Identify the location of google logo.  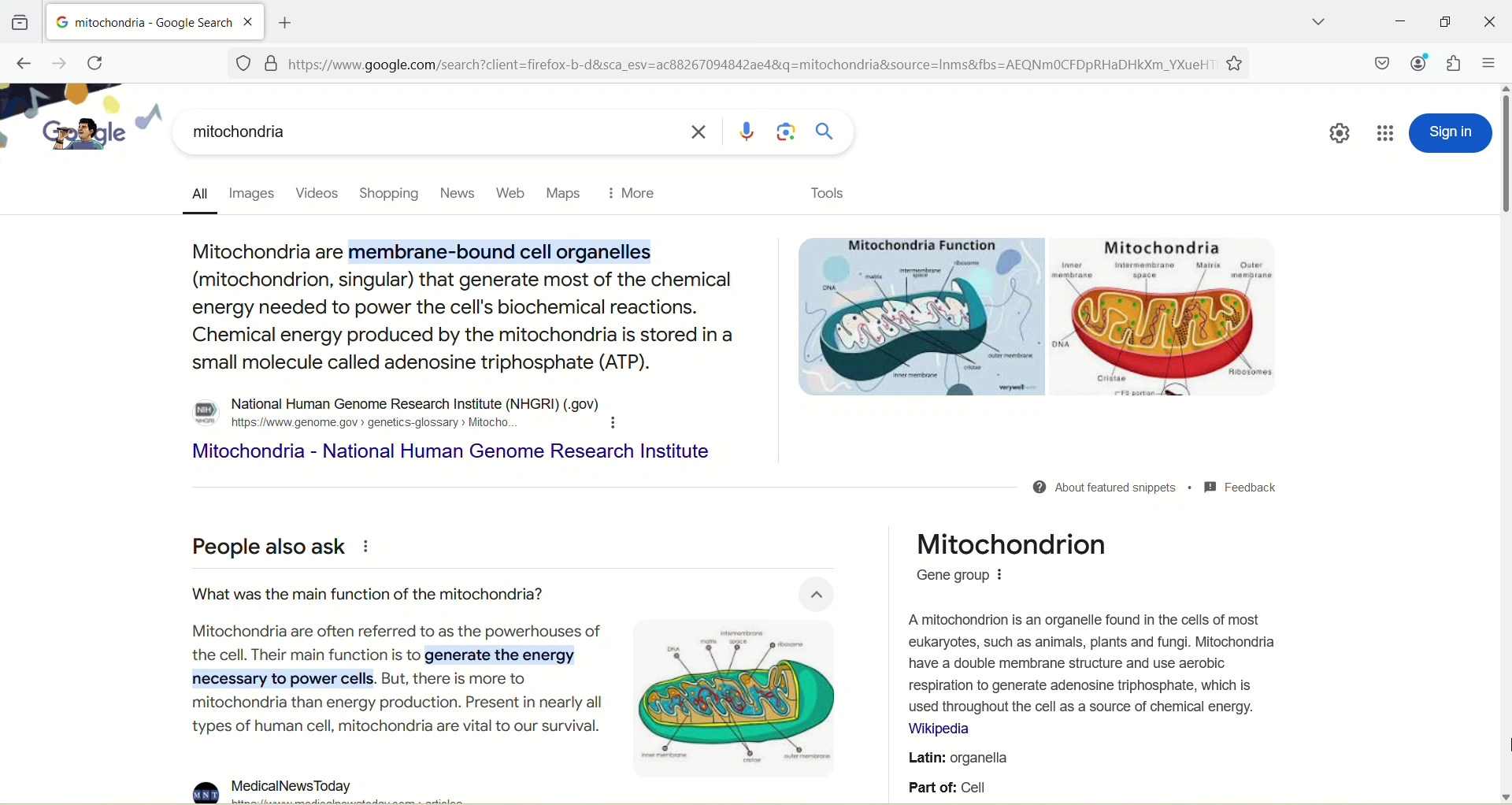
(82, 119).